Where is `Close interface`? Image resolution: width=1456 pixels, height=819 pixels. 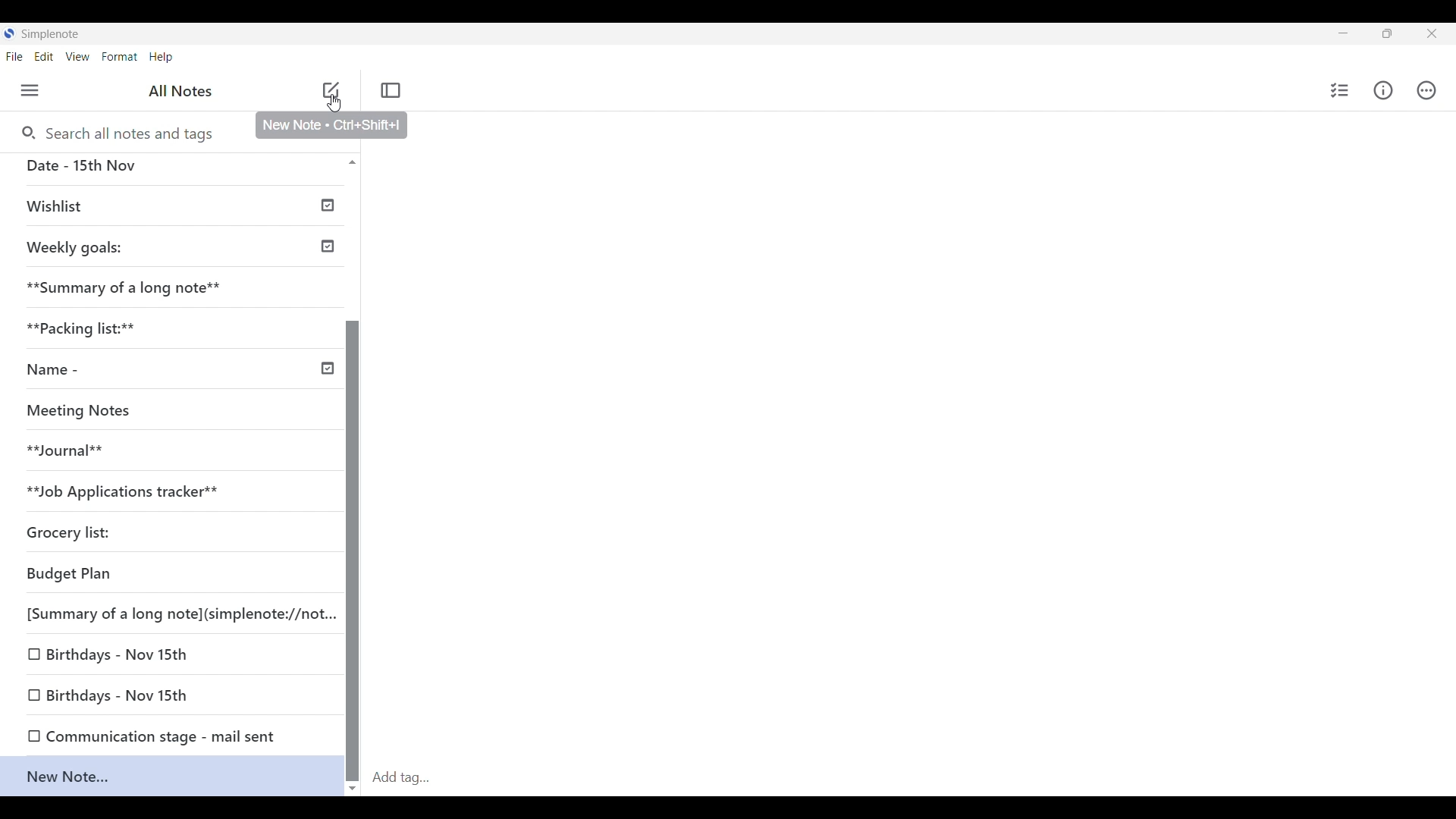
Close interface is located at coordinates (1432, 33).